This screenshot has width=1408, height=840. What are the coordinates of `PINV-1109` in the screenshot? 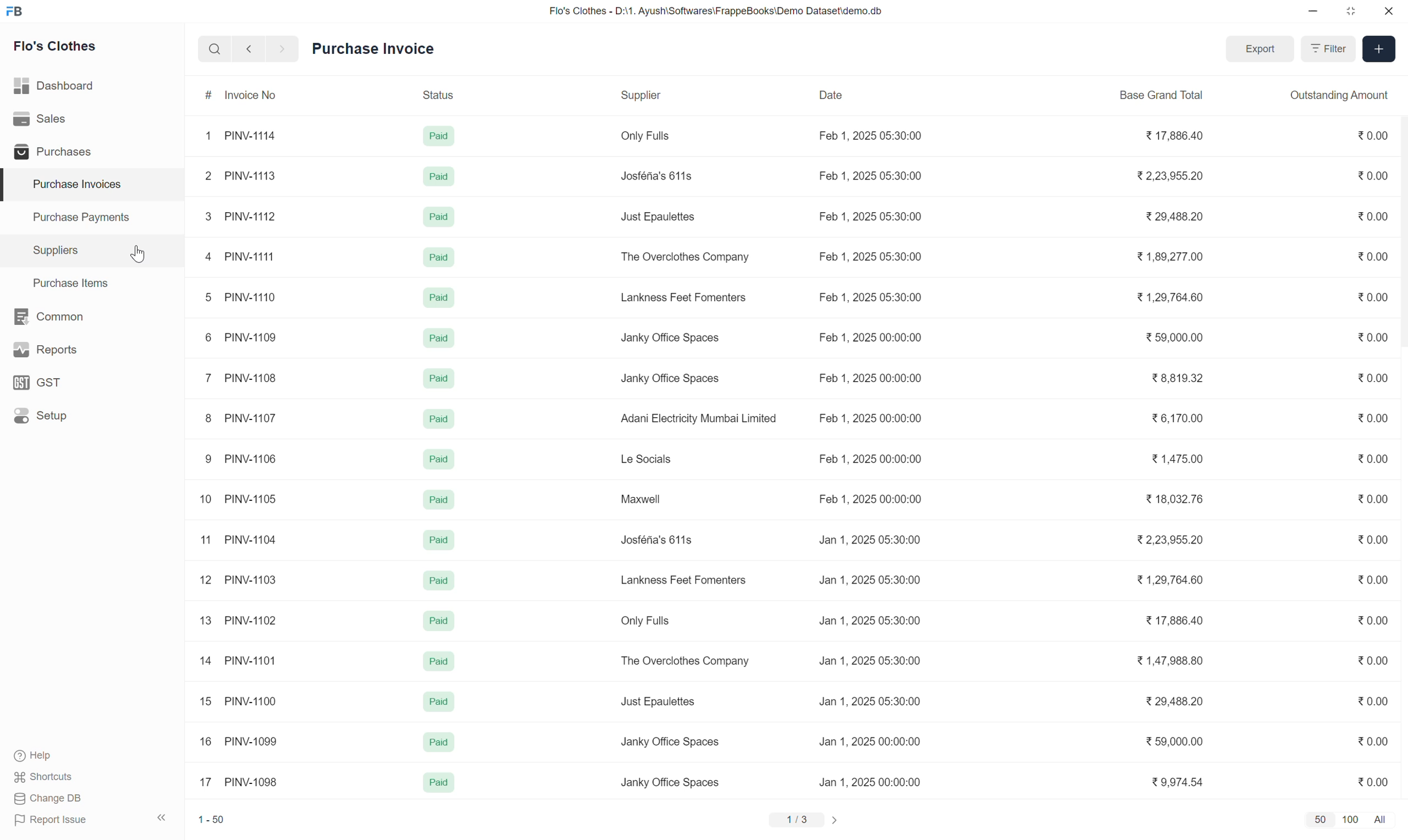 It's located at (250, 337).